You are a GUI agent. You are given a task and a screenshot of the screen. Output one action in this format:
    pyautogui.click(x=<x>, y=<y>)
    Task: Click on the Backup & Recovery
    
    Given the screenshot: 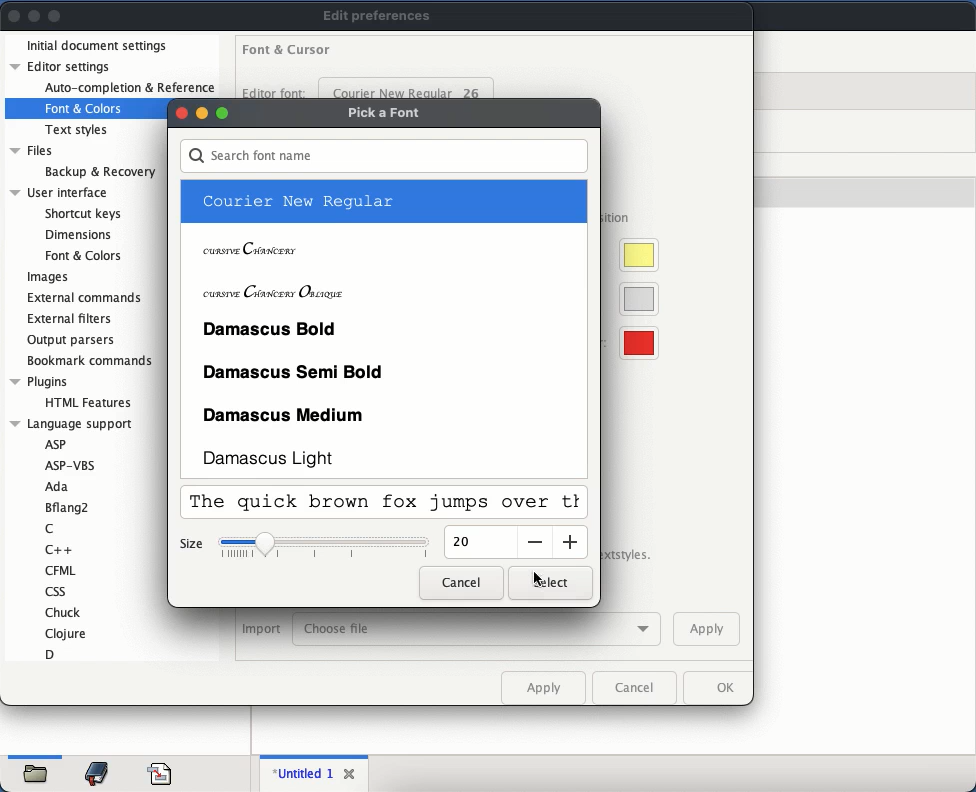 What is the action you would take?
    pyautogui.click(x=99, y=171)
    